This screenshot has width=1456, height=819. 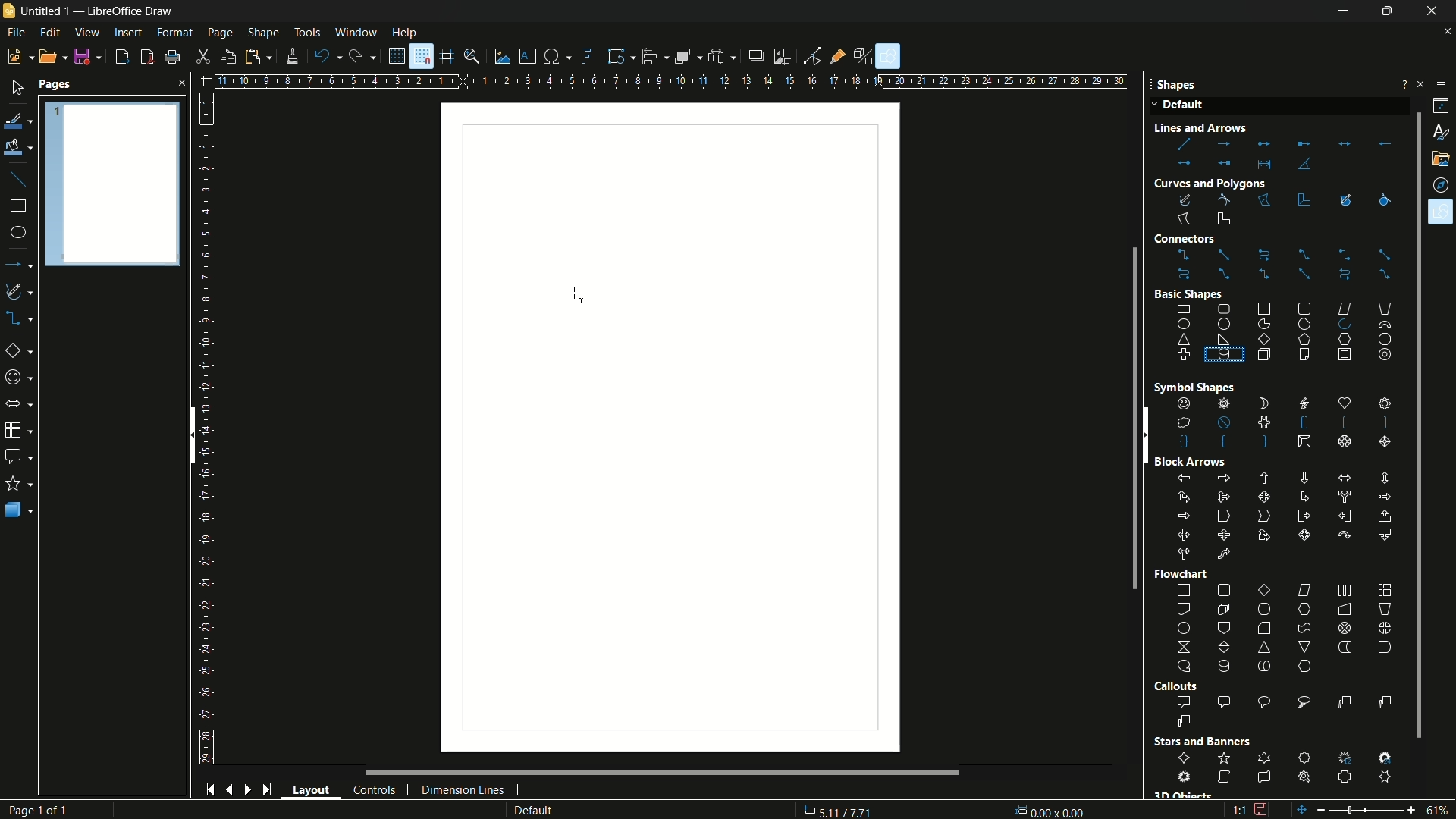 What do you see at coordinates (1180, 106) in the screenshot?
I see `Default` at bounding box center [1180, 106].